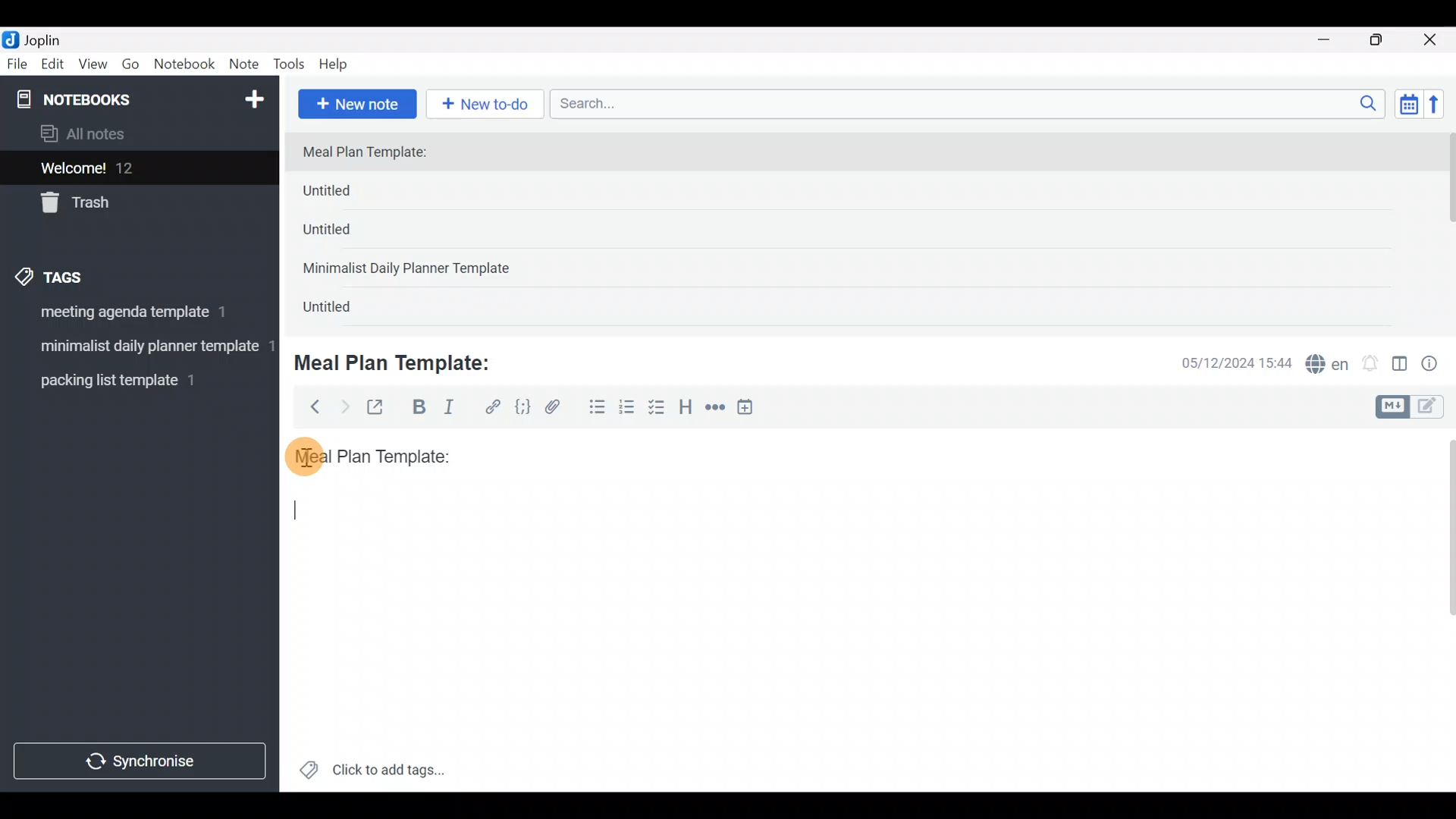 The image size is (1456, 819). Describe the element at coordinates (752, 409) in the screenshot. I see `Insert time` at that location.